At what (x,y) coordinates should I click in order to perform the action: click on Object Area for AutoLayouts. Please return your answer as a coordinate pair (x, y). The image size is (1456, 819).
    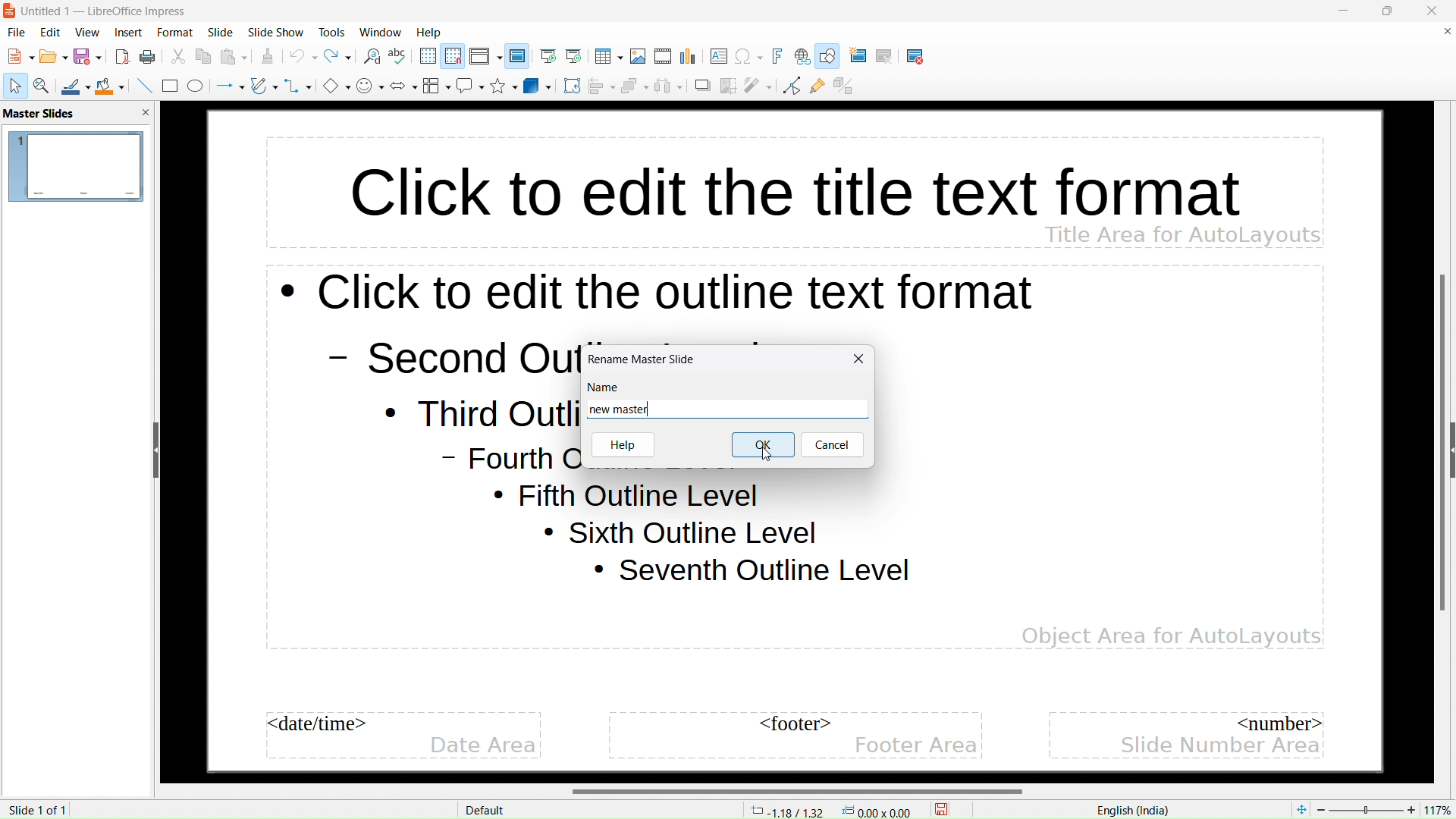
    Looking at the image, I should click on (1171, 629).